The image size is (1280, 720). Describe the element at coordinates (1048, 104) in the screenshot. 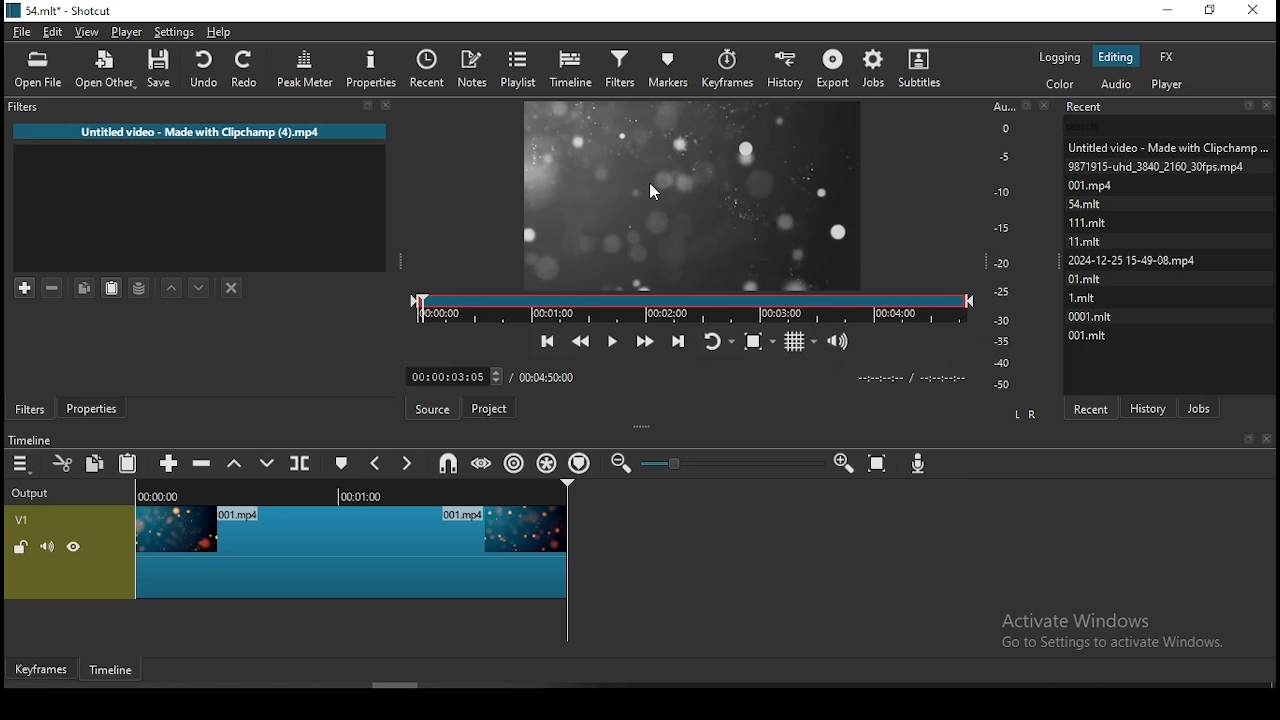

I see `Close` at that location.